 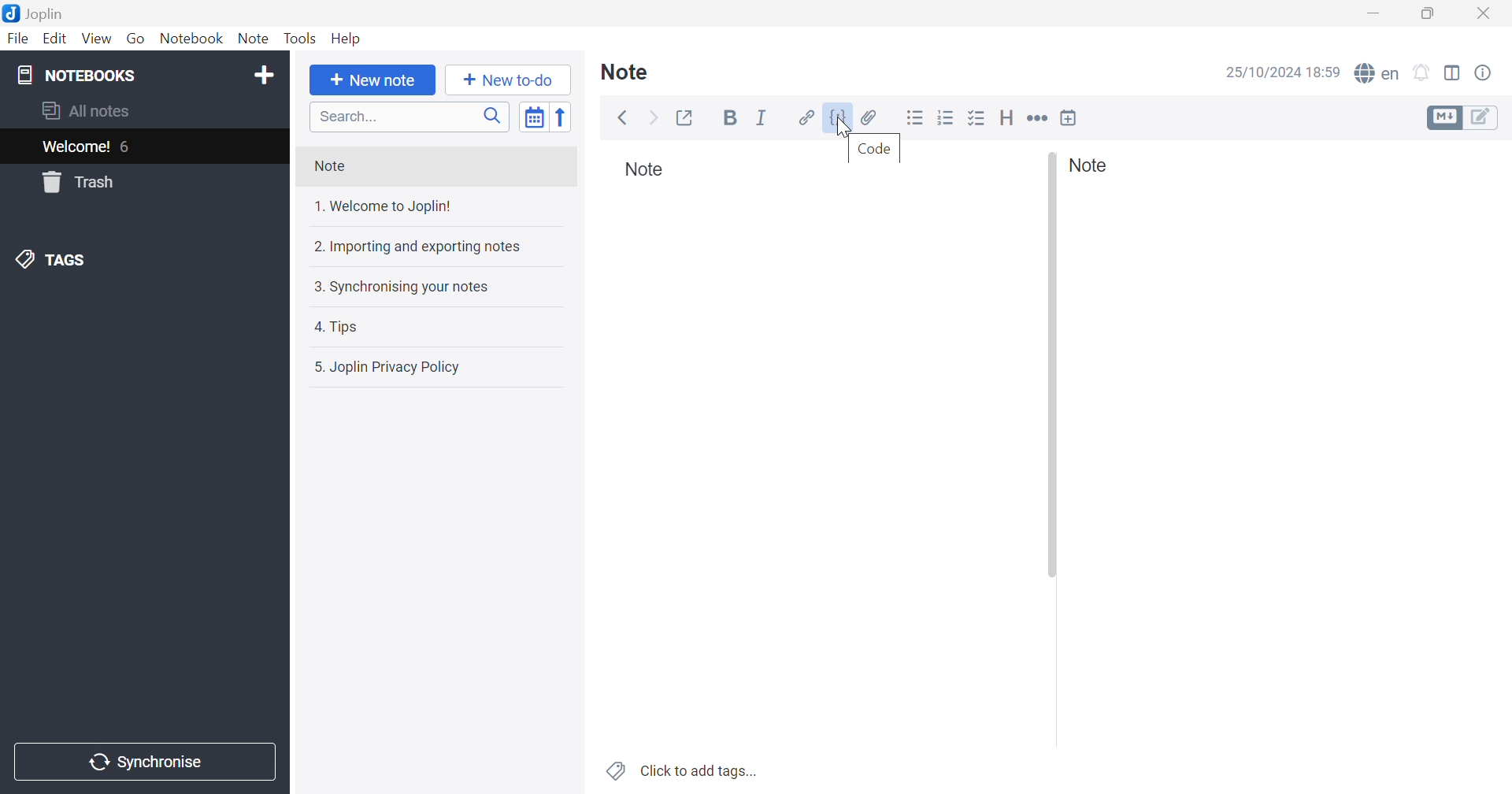 I want to click on Minimize, so click(x=1377, y=14).